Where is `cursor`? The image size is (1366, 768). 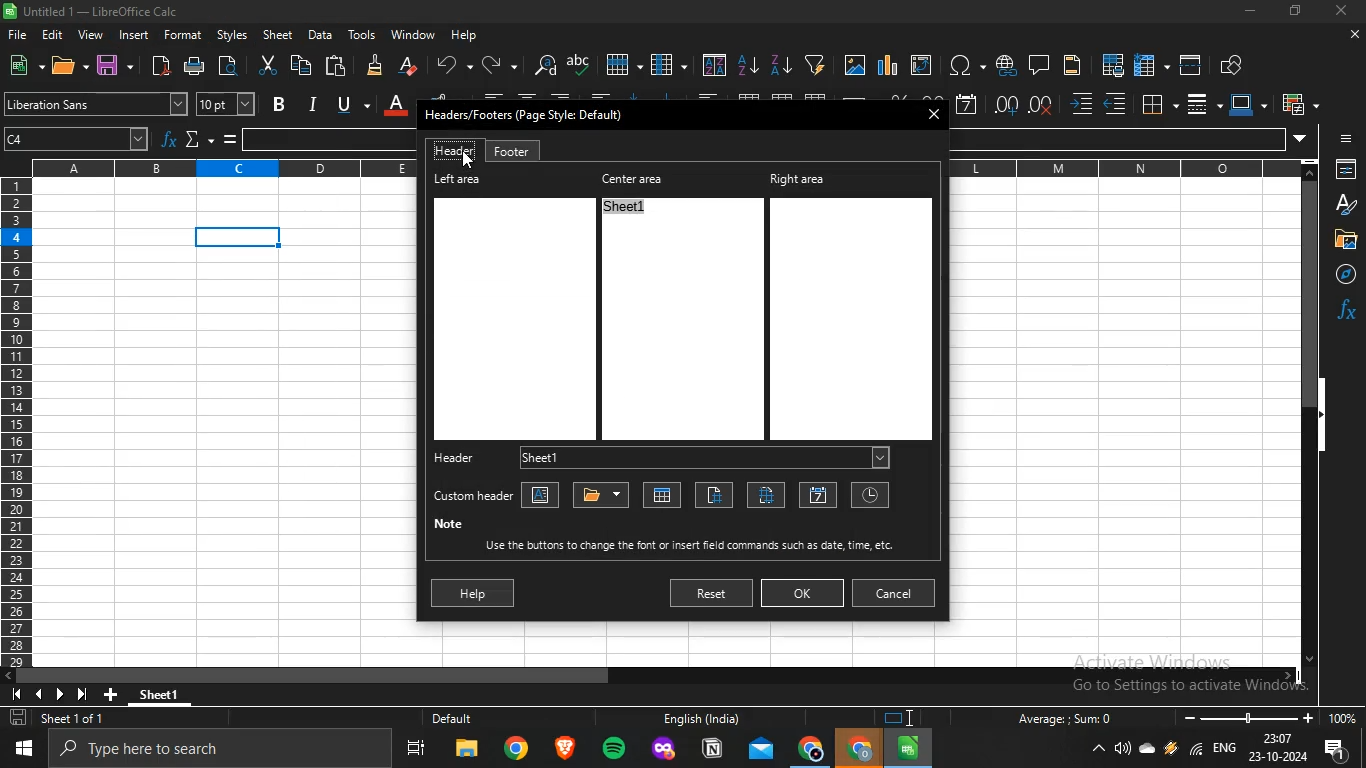 cursor is located at coordinates (473, 162).